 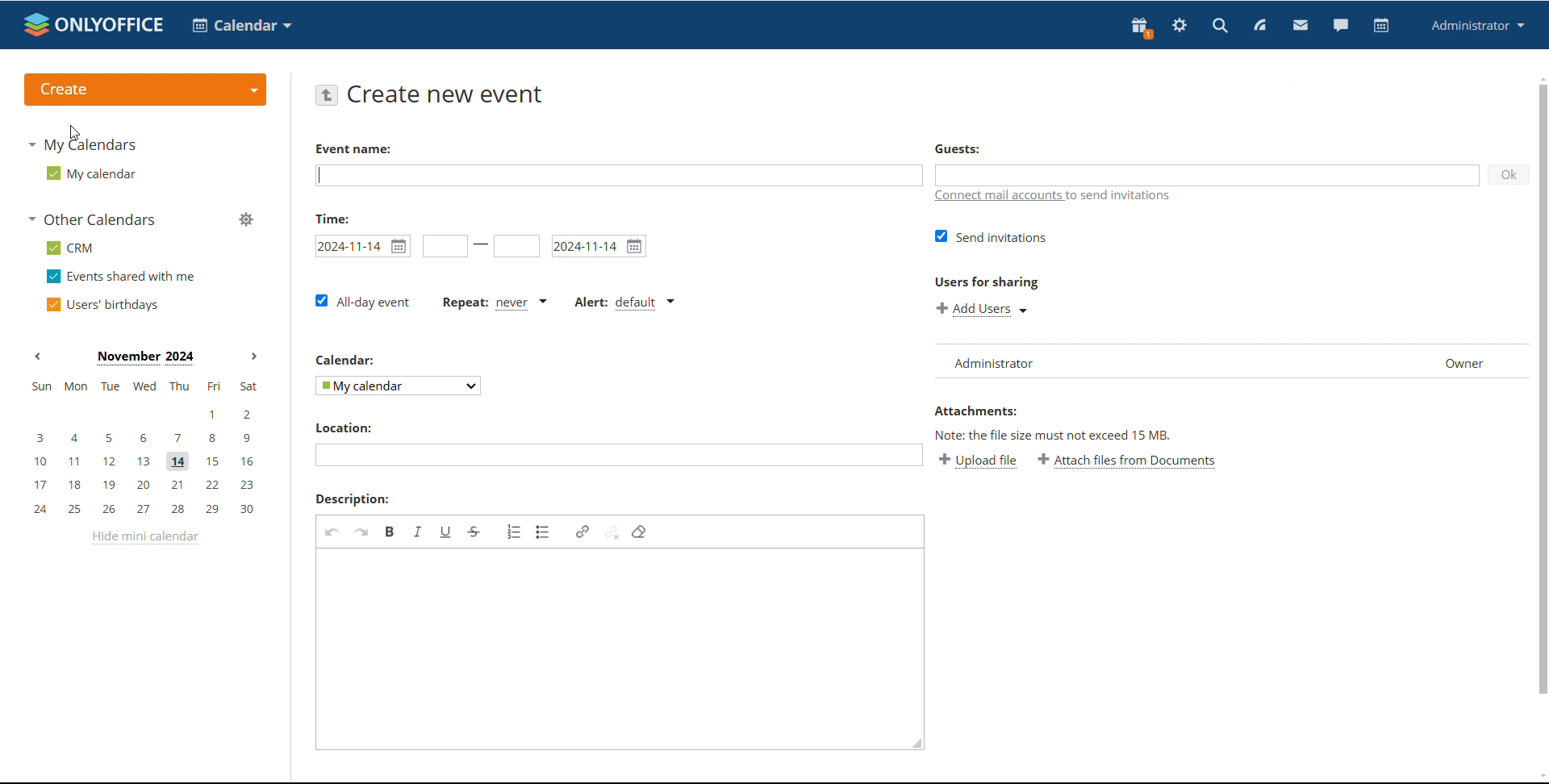 I want to click on calendar, so click(x=1381, y=26).